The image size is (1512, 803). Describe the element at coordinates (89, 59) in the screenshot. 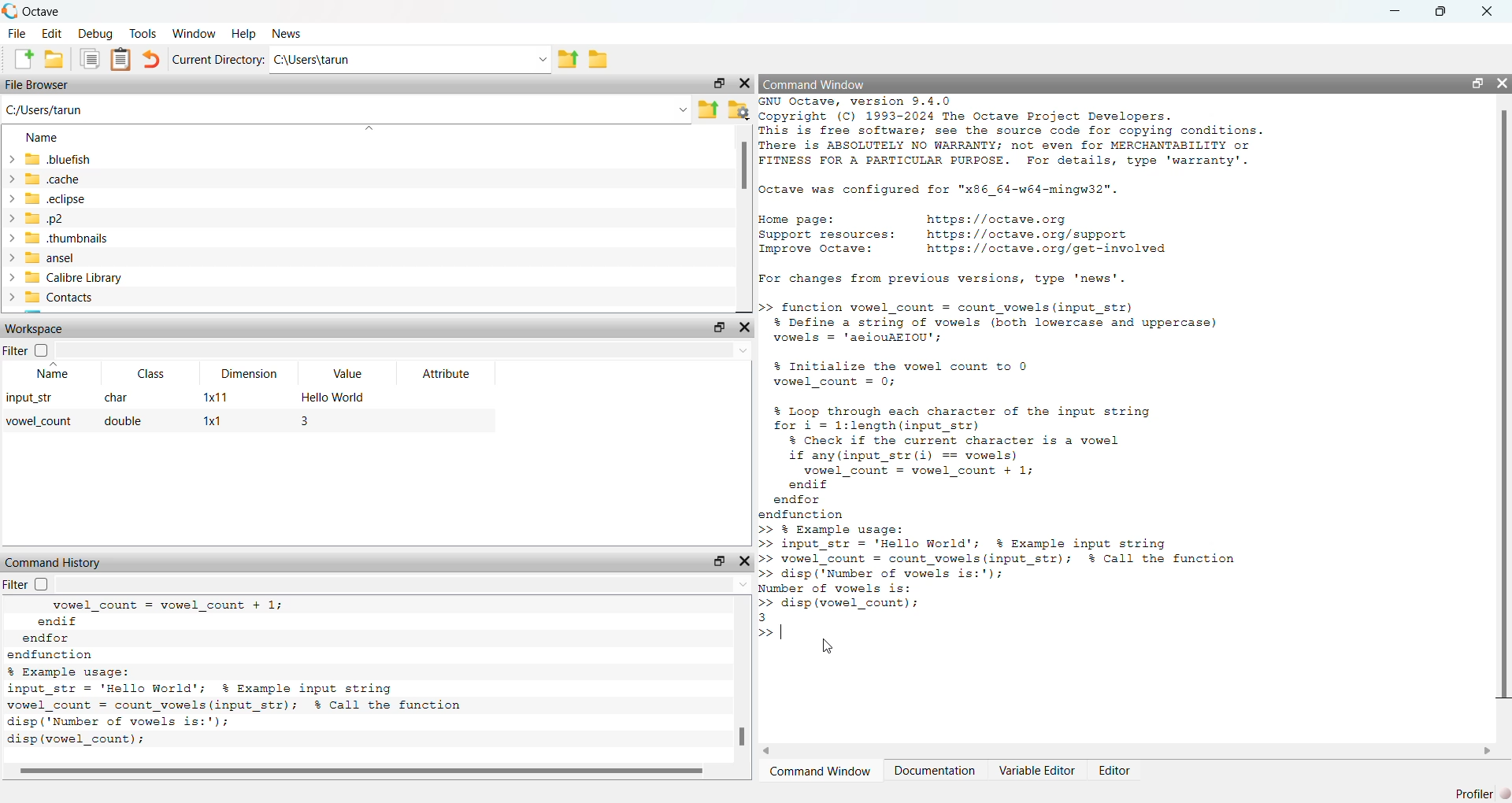

I see `Copy` at that location.